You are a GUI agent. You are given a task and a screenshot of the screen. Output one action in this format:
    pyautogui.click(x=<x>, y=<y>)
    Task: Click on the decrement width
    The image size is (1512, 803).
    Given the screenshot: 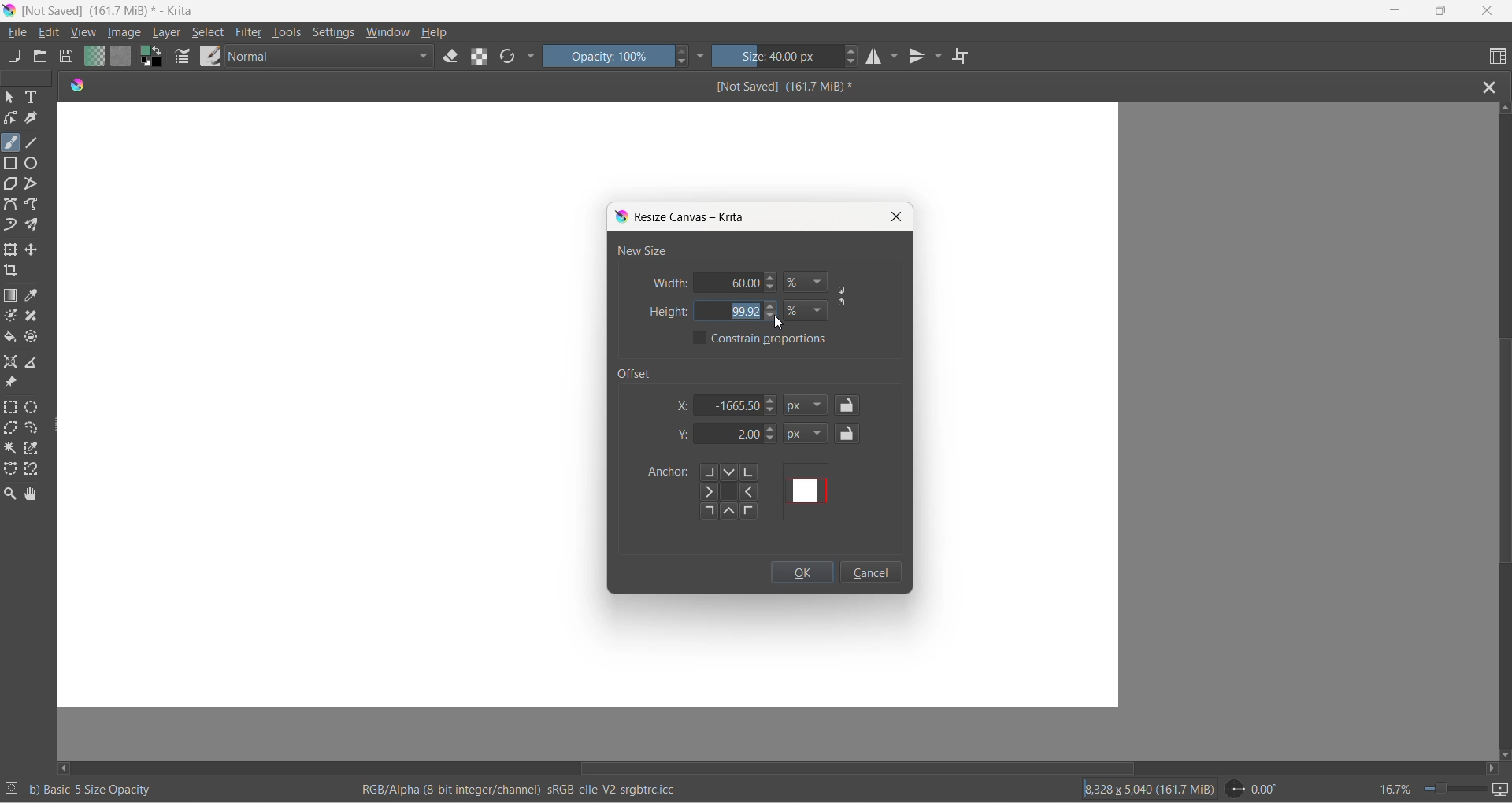 What is the action you would take?
    pyautogui.click(x=776, y=288)
    